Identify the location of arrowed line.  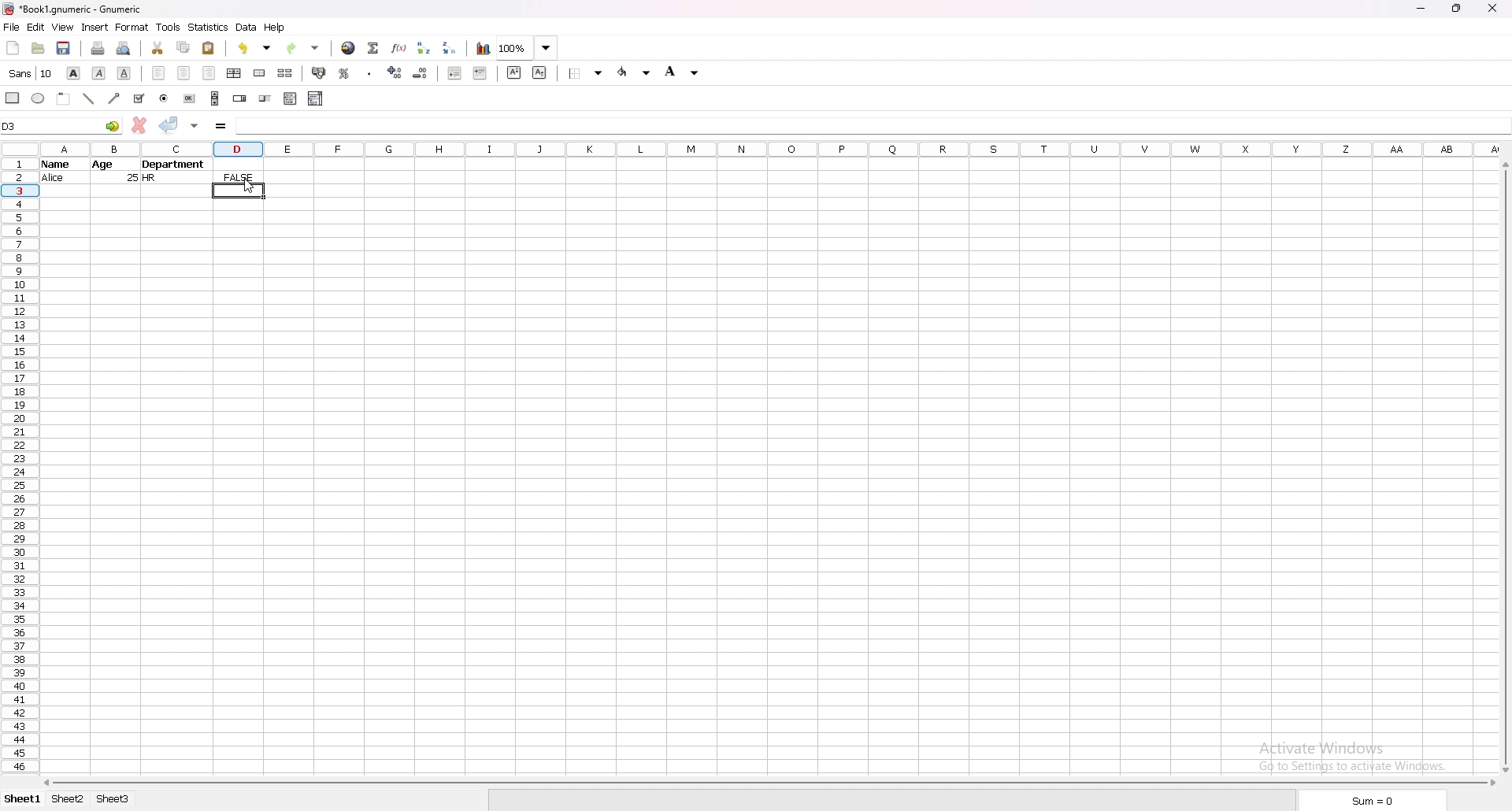
(116, 97).